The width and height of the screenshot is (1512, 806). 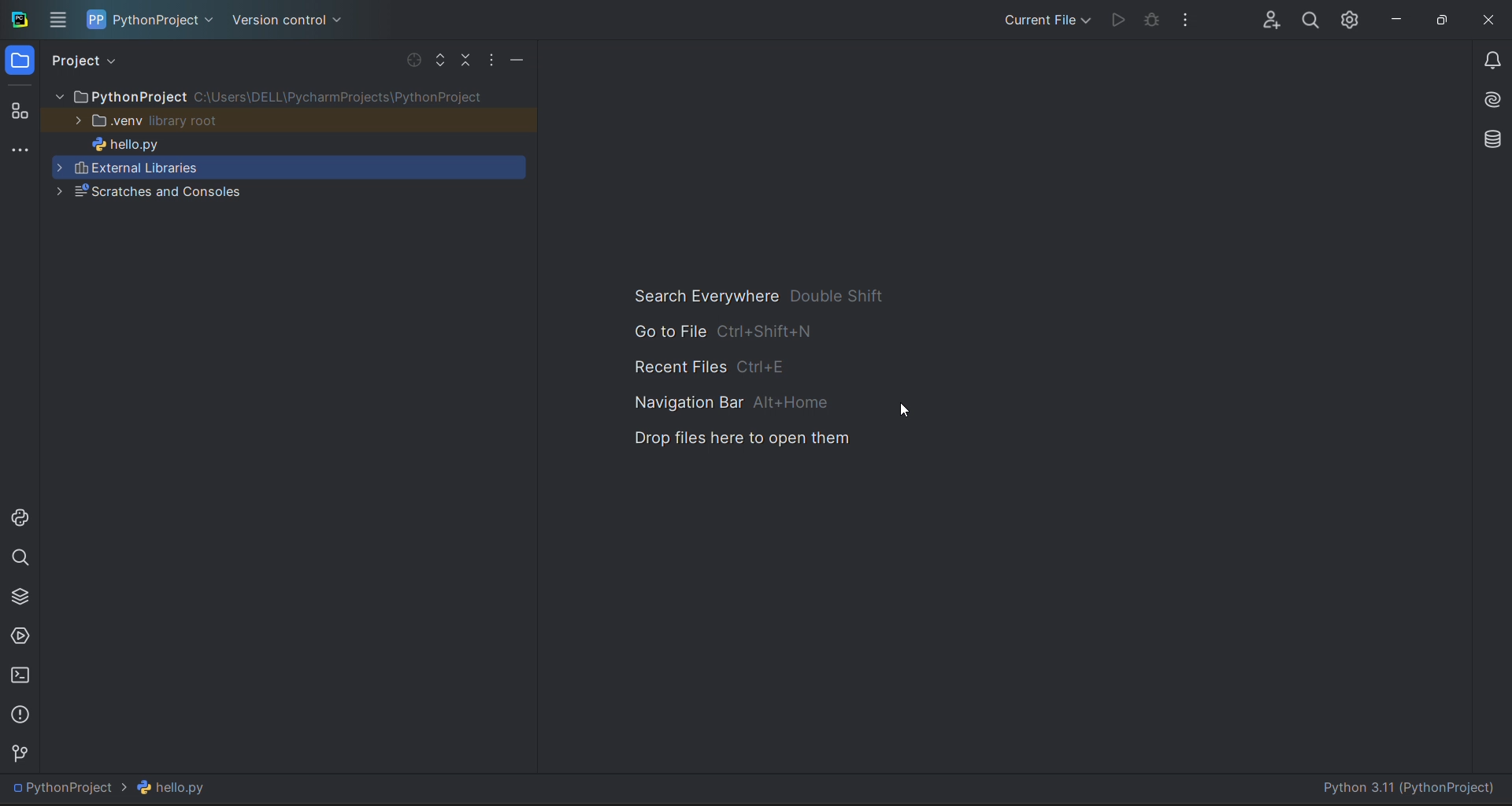 I want to click on project view, so click(x=84, y=61).